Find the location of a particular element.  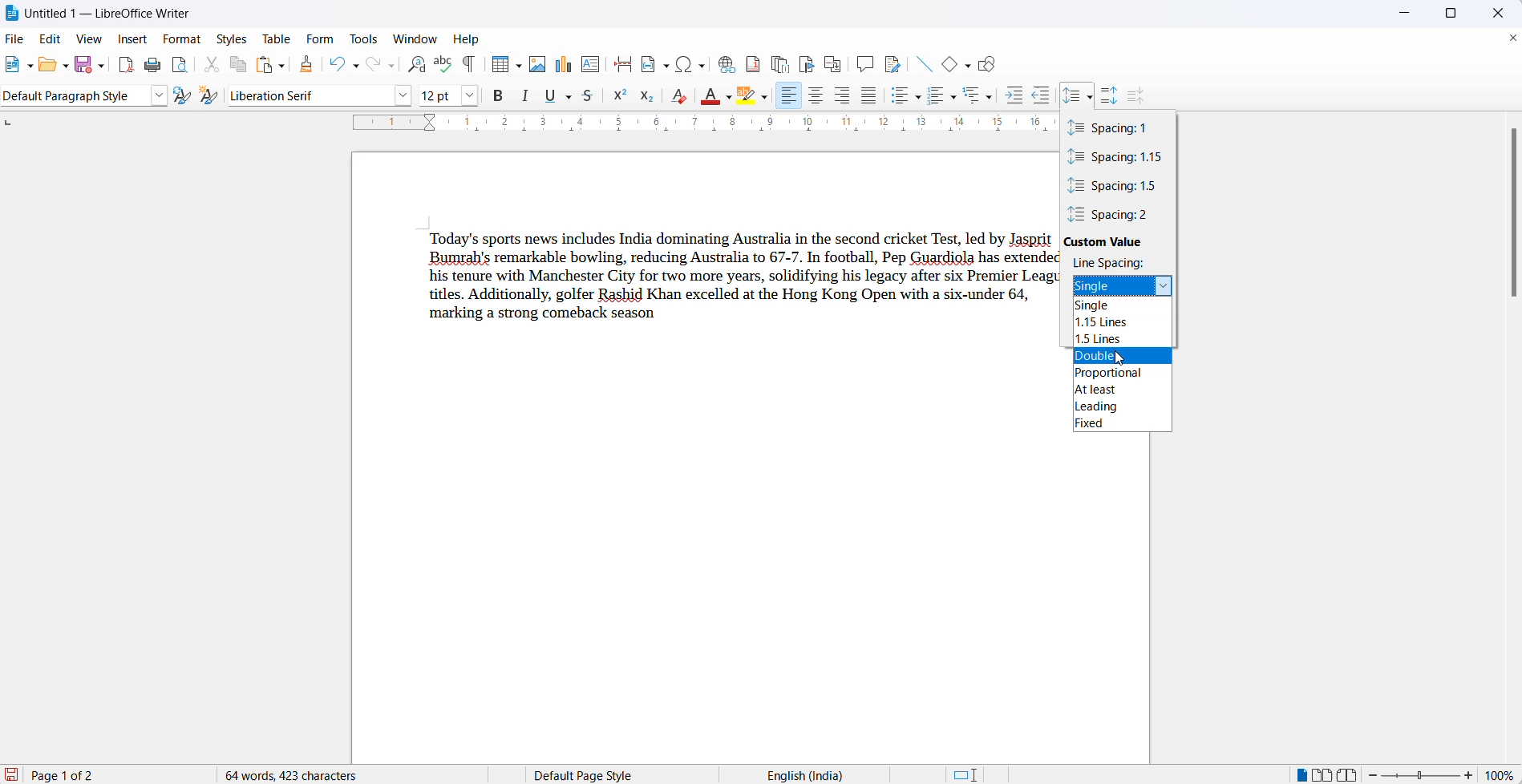

insert hyperlink is located at coordinates (689, 64).